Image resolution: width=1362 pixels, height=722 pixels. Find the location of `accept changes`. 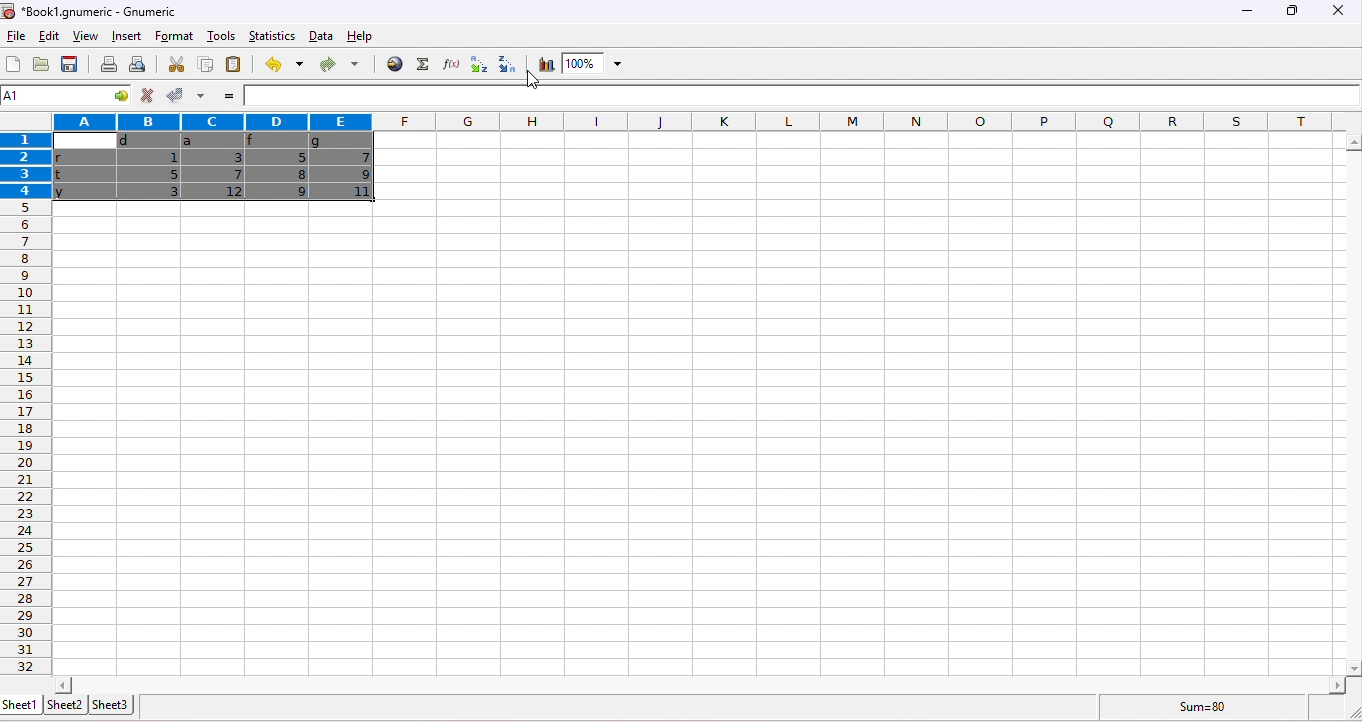

accept changes is located at coordinates (176, 94).